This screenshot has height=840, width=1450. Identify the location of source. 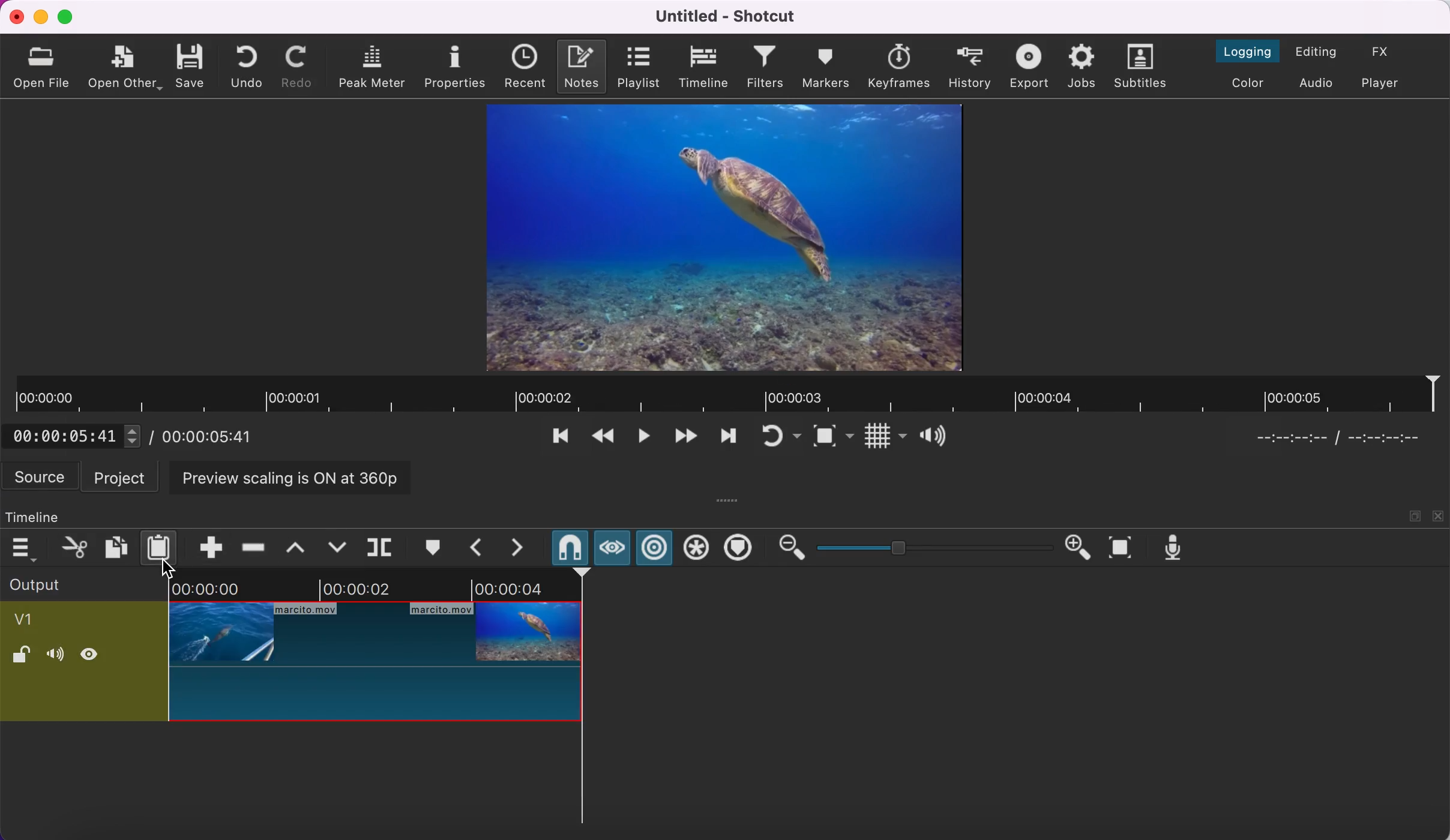
(39, 478).